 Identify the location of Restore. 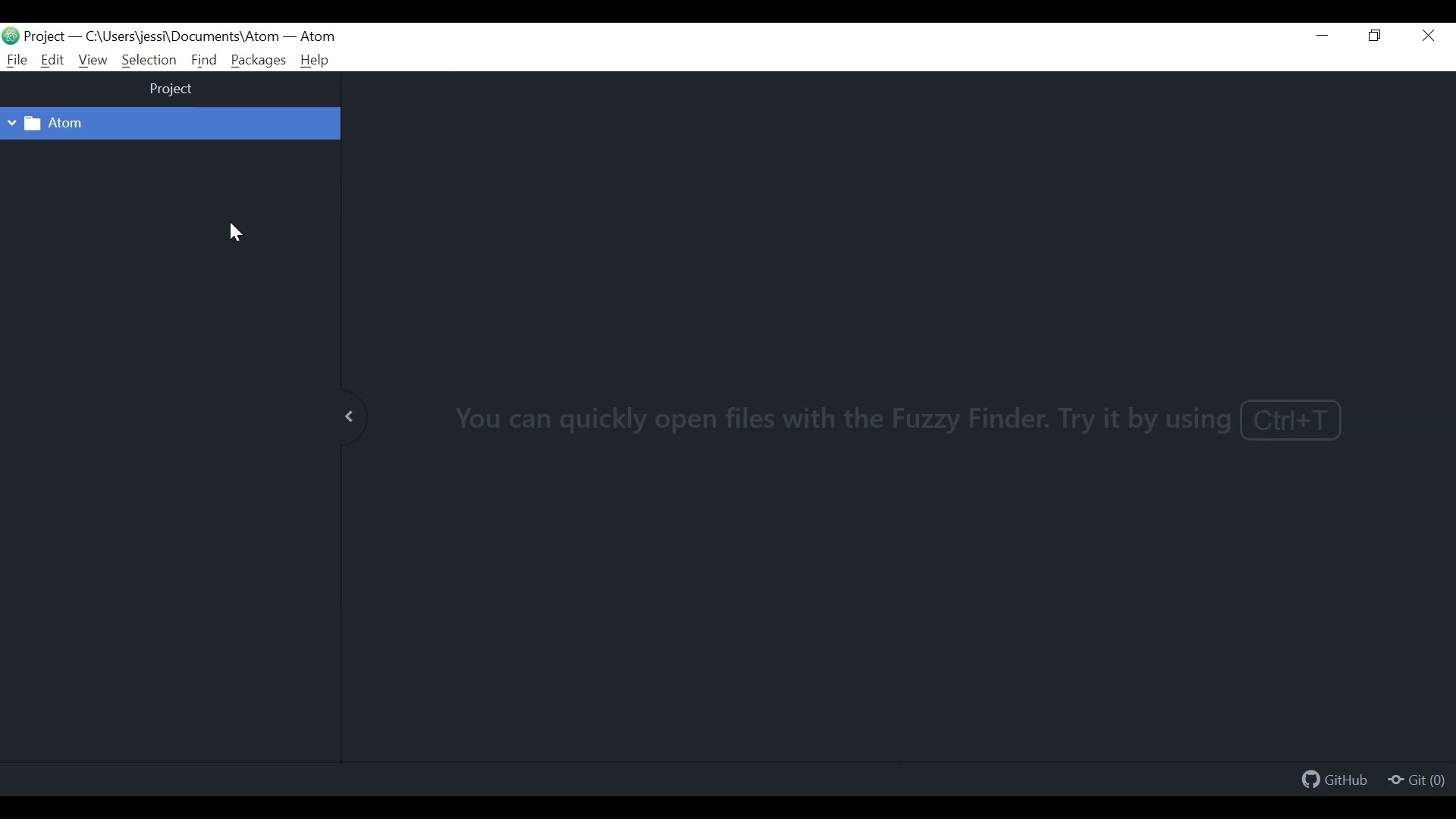
(1377, 36).